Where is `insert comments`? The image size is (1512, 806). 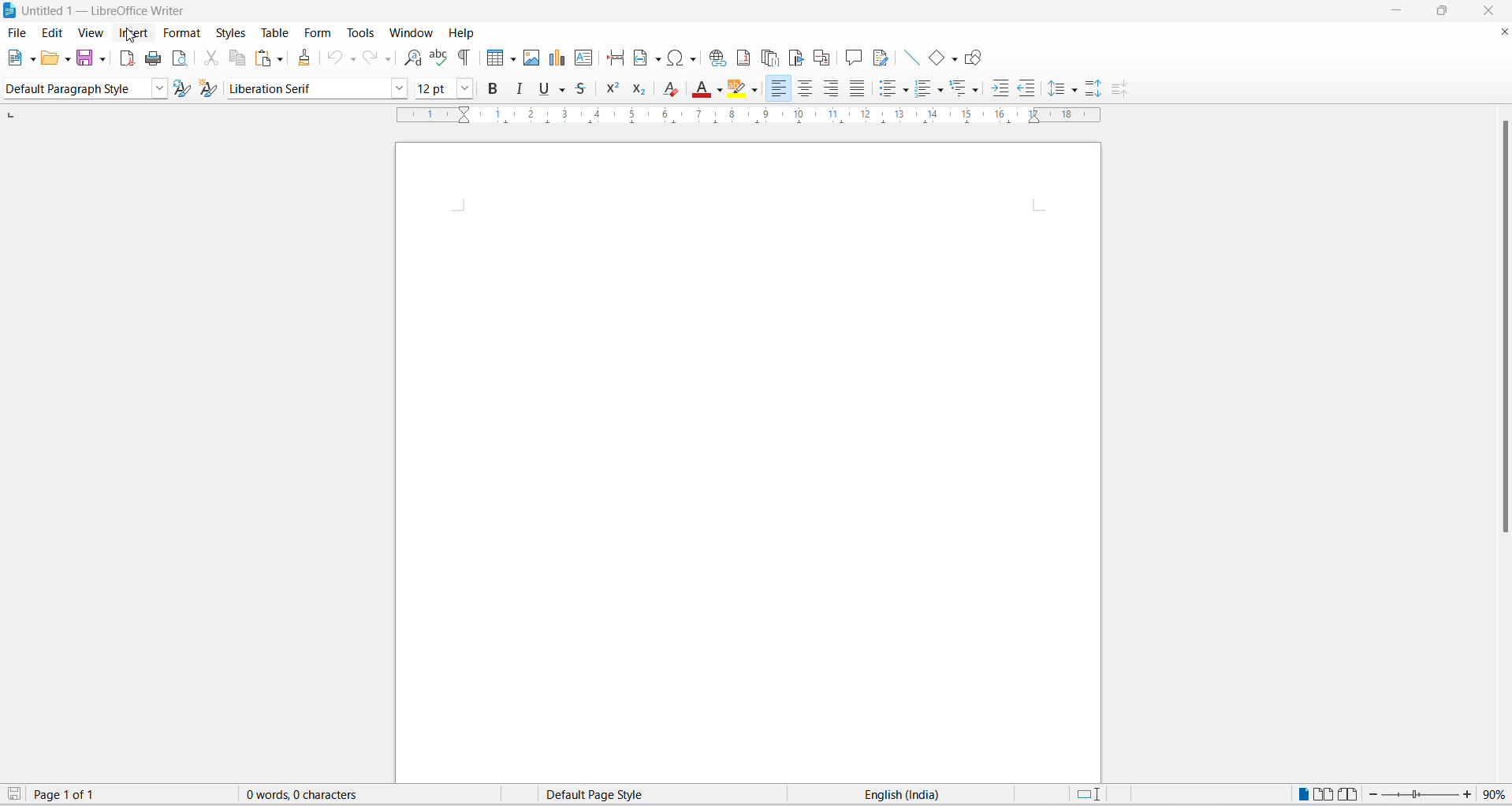 insert comments is located at coordinates (852, 55).